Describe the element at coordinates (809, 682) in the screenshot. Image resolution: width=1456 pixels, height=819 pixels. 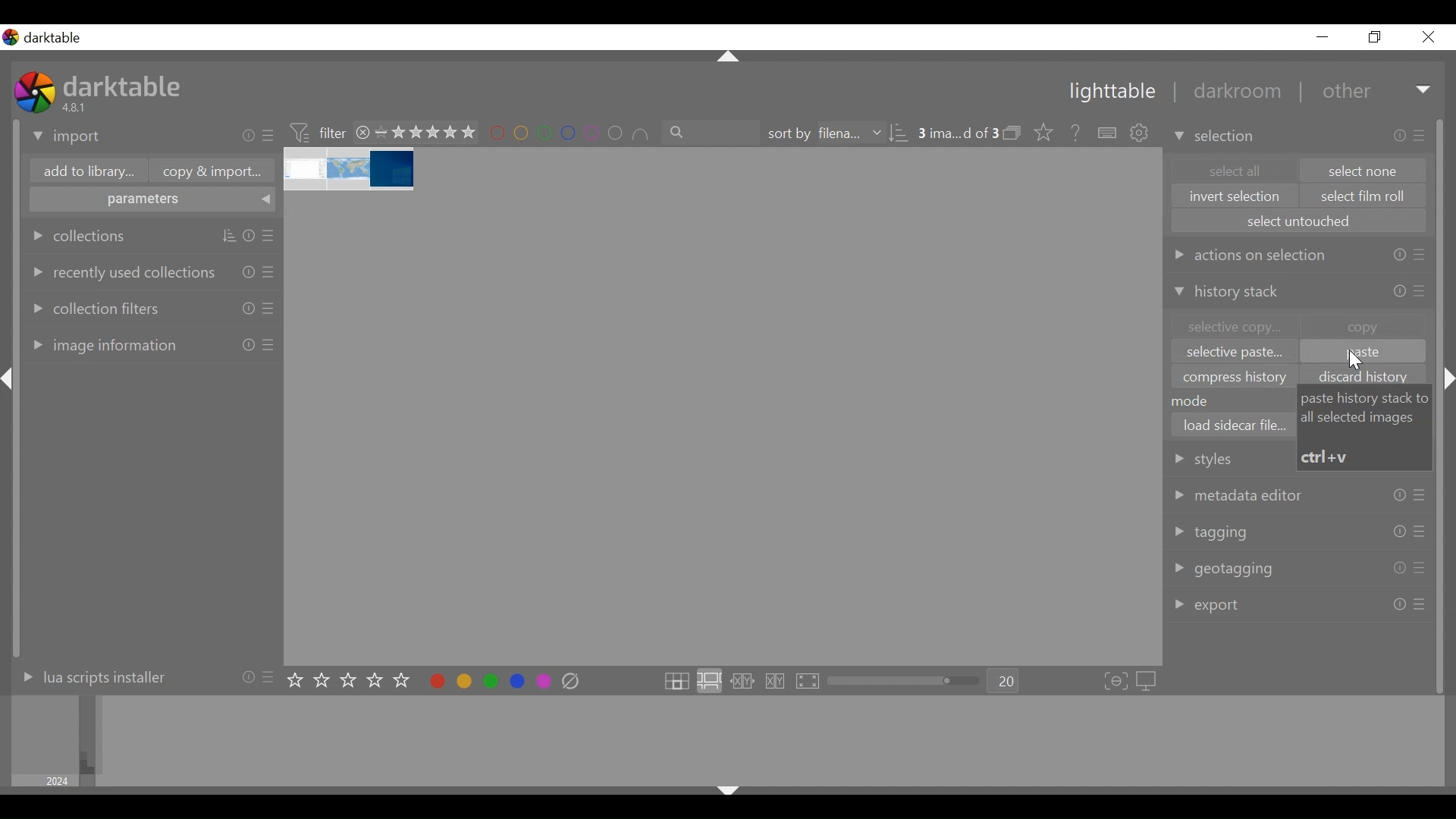
I see `click to enter full preview layout` at that location.